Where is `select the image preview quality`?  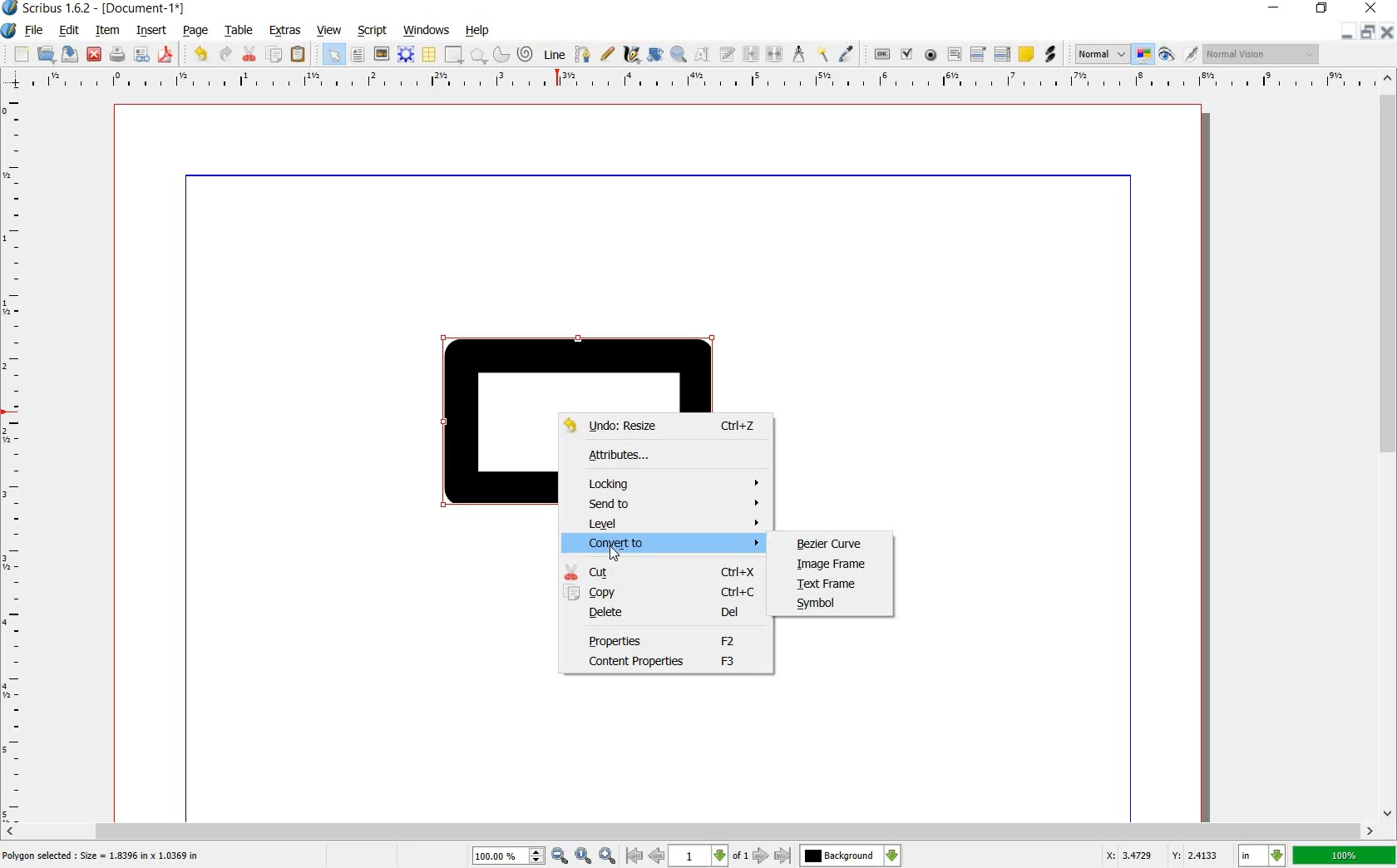 select the image preview quality is located at coordinates (1098, 52).